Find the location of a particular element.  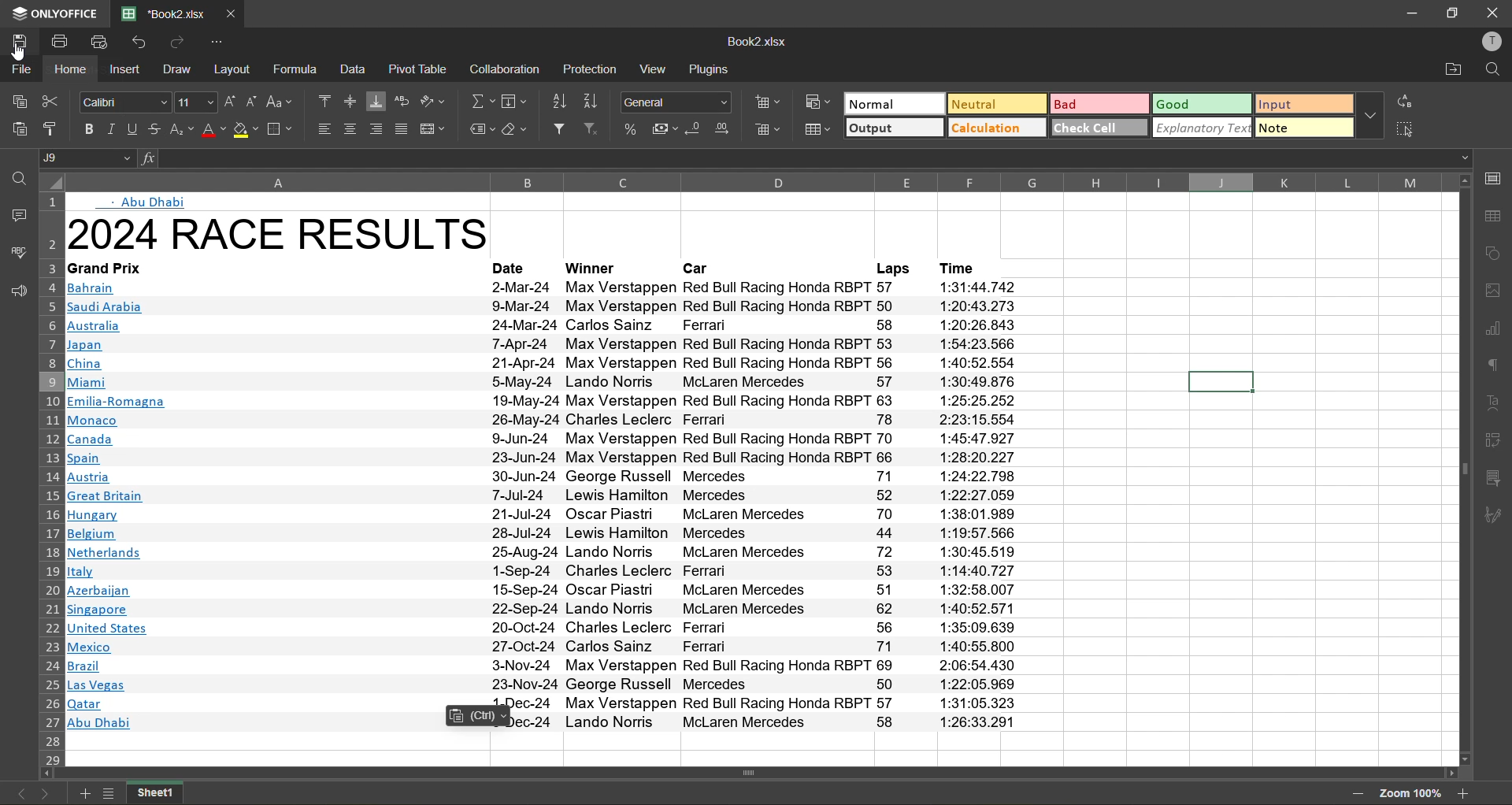

open location is located at coordinates (1446, 68).